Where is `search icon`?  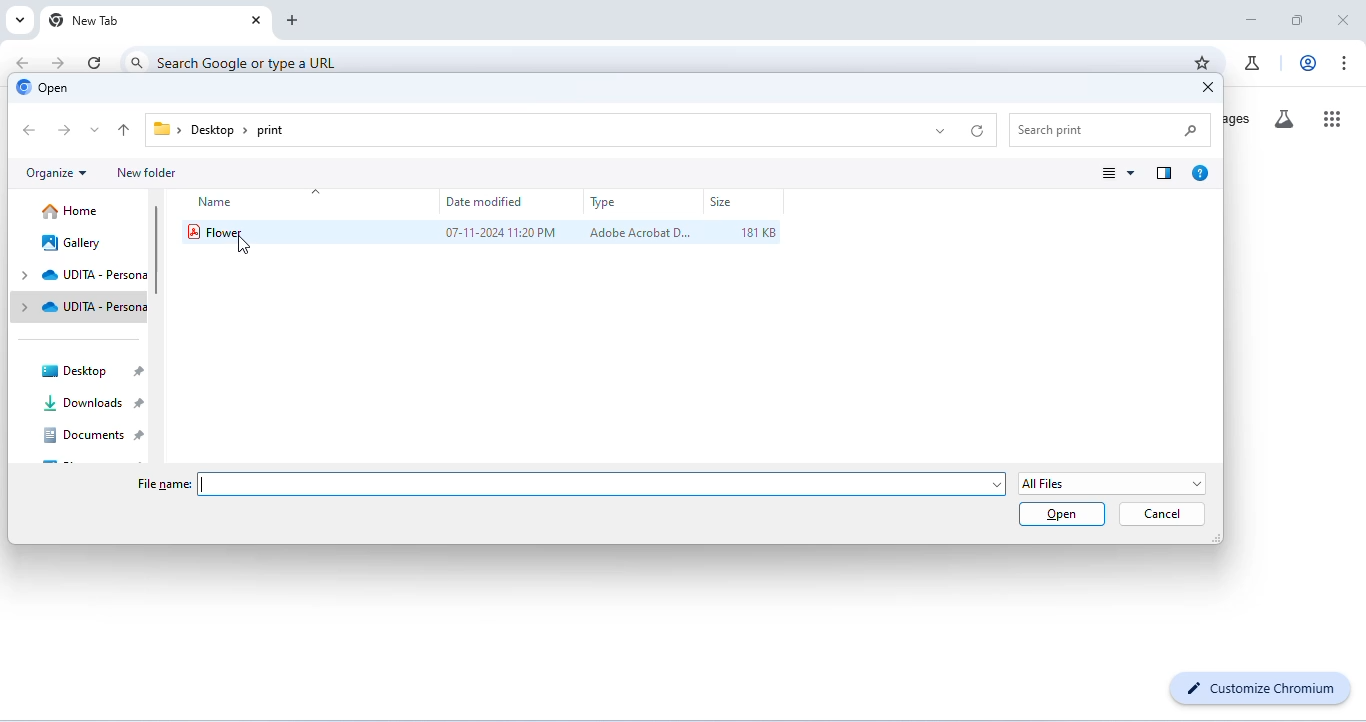
search icon is located at coordinates (137, 59).